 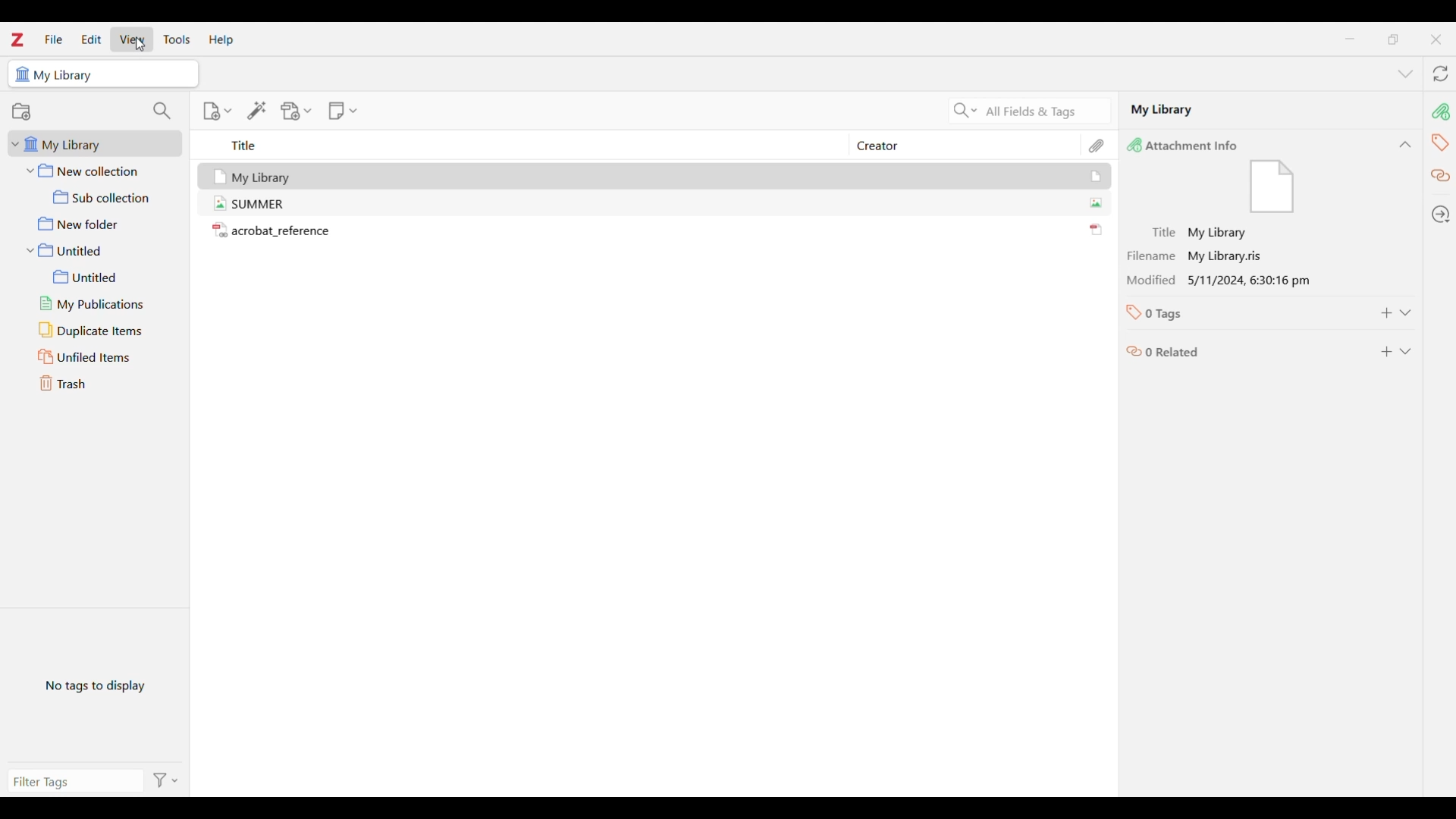 What do you see at coordinates (221, 41) in the screenshot?
I see `Help menu` at bounding box center [221, 41].